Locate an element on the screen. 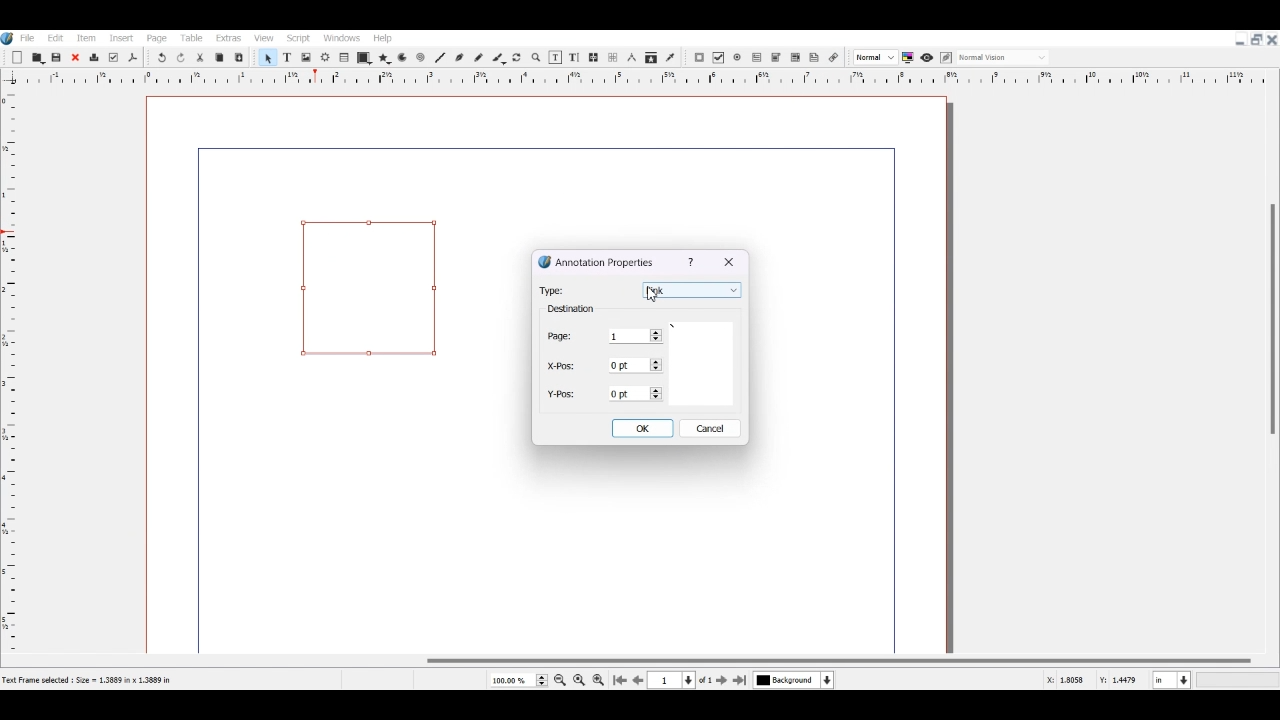 The image size is (1280, 720). Windows is located at coordinates (343, 37).